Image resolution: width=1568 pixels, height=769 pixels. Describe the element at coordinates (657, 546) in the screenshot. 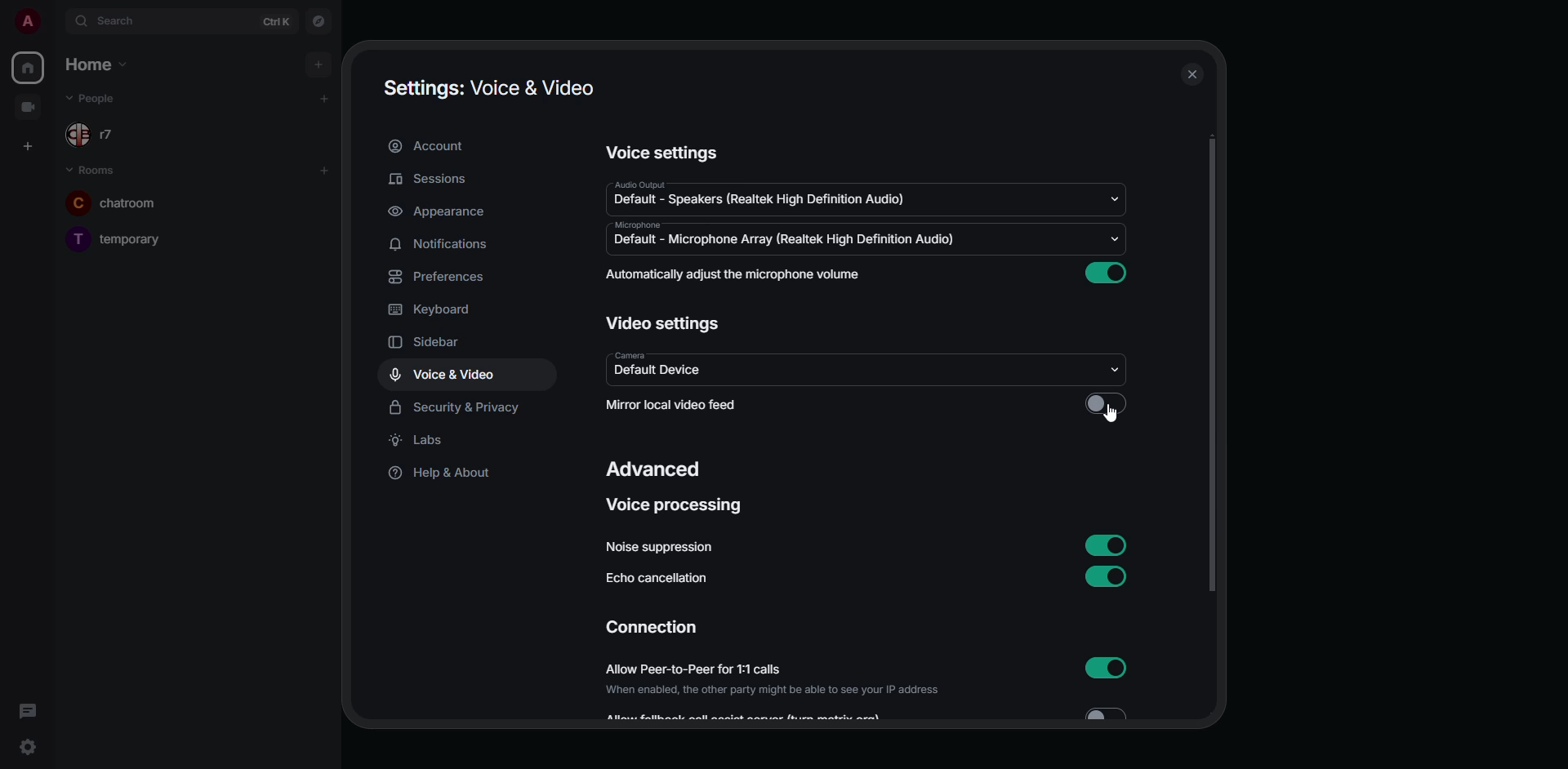

I see `noise suppression` at that location.